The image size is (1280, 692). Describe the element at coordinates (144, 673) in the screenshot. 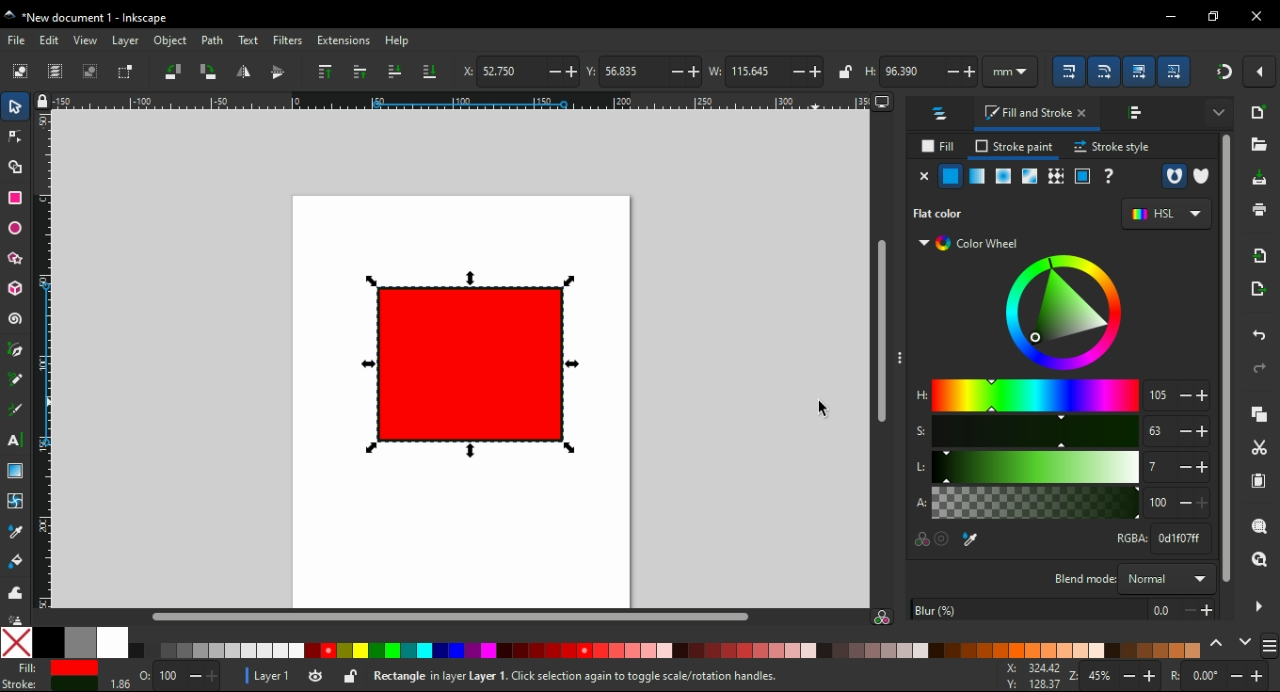

I see `0` at that location.